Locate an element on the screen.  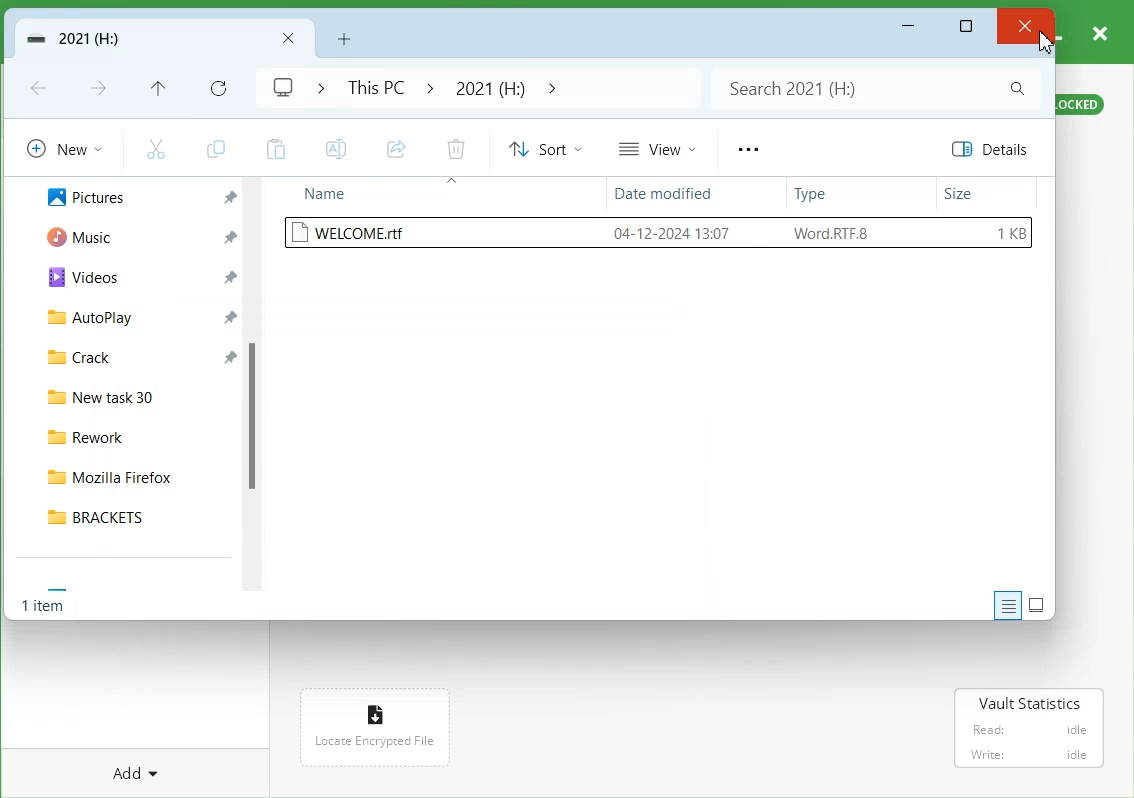
Minimize is located at coordinates (909, 27).